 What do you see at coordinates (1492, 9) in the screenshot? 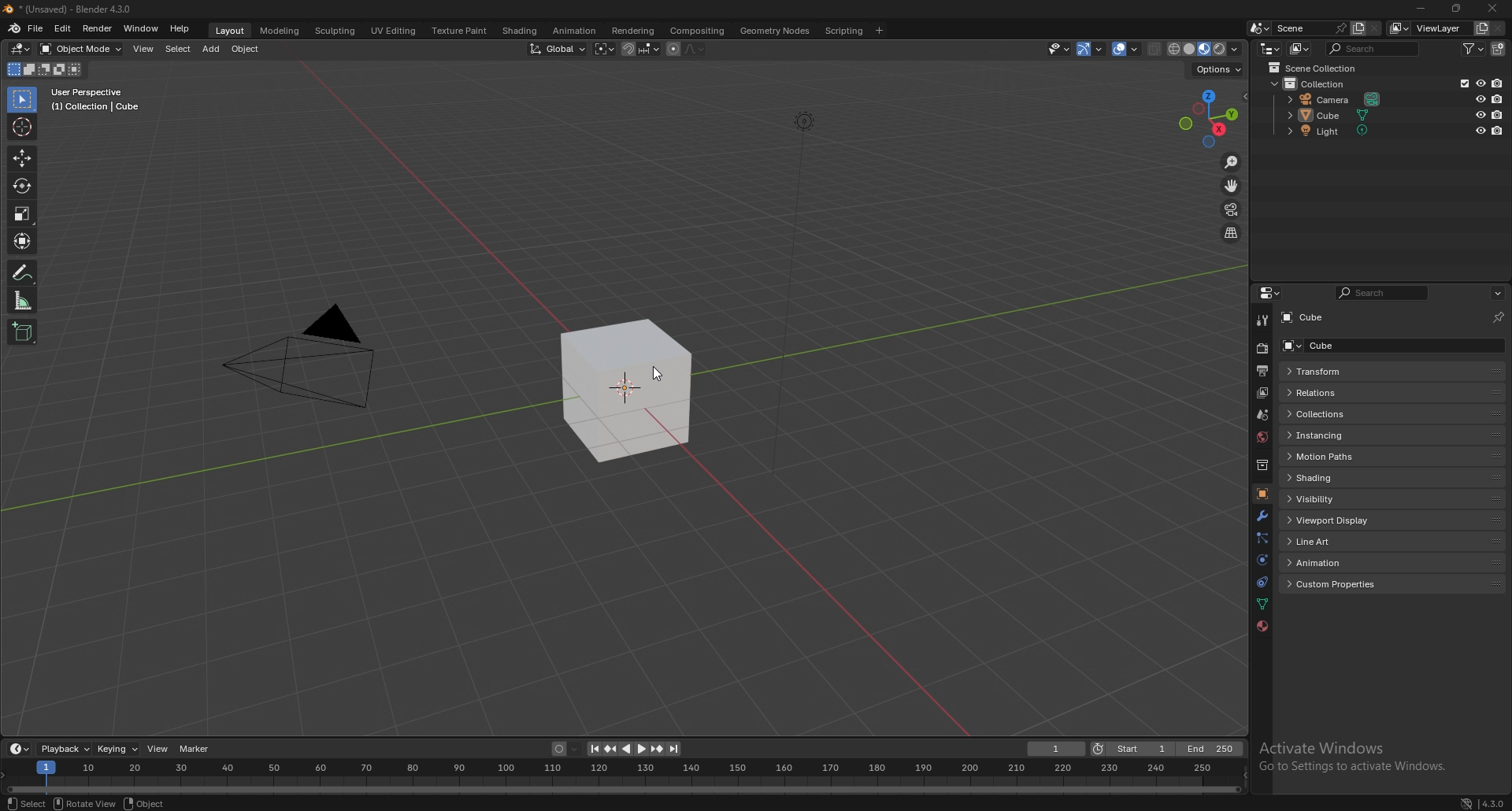
I see `close` at bounding box center [1492, 9].